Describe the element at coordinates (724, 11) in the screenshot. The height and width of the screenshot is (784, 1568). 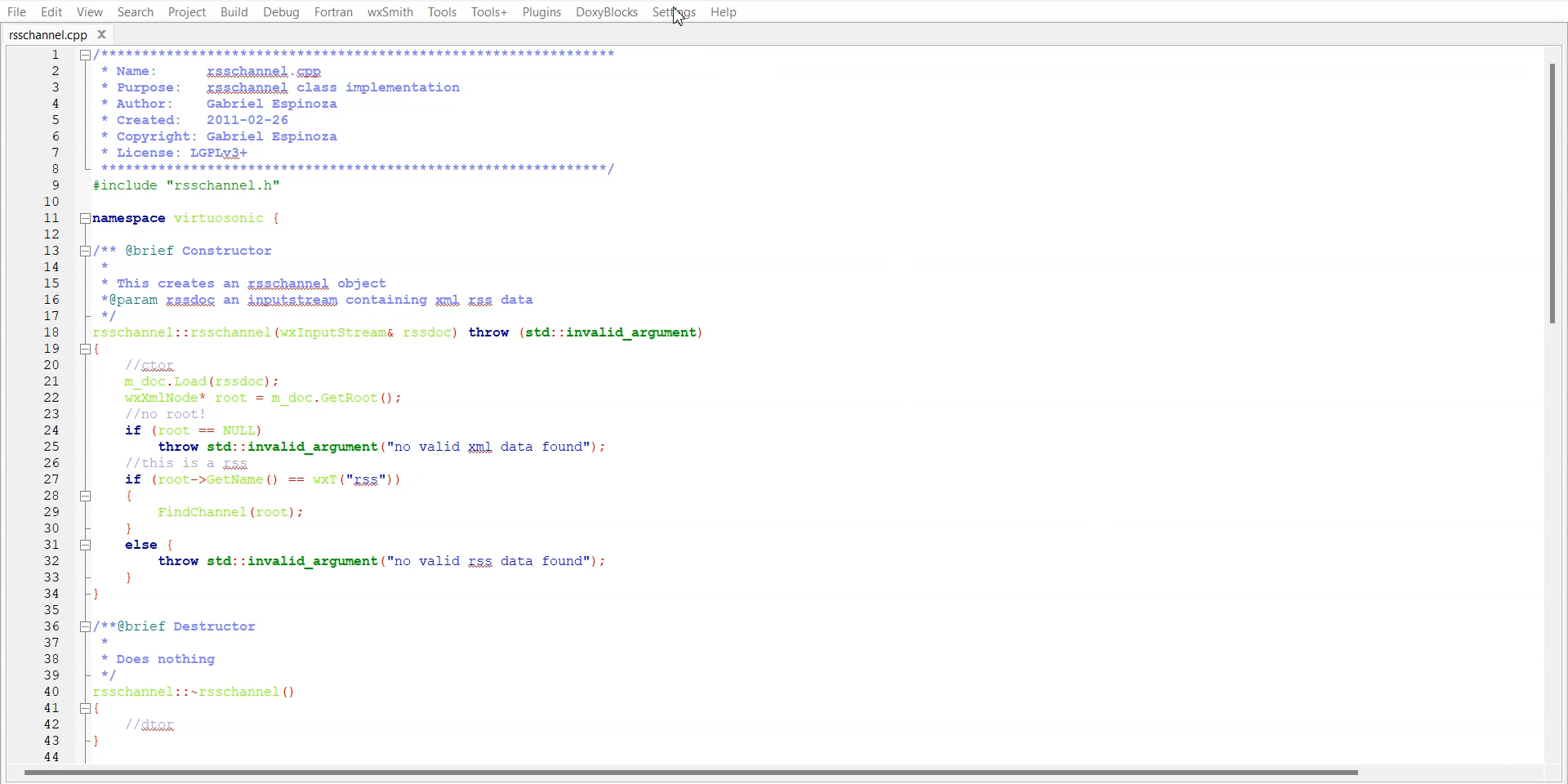
I see `Help` at that location.